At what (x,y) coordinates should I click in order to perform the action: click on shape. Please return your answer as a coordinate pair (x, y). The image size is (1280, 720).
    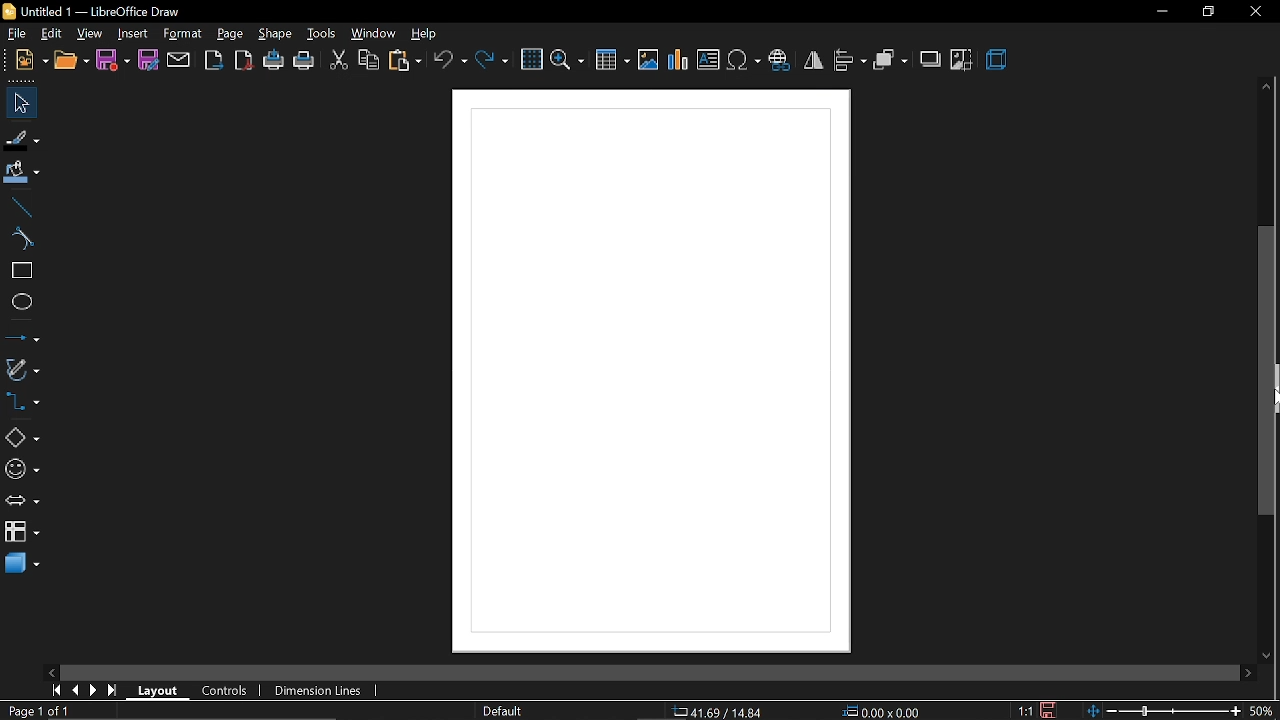
    Looking at the image, I should click on (277, 35).